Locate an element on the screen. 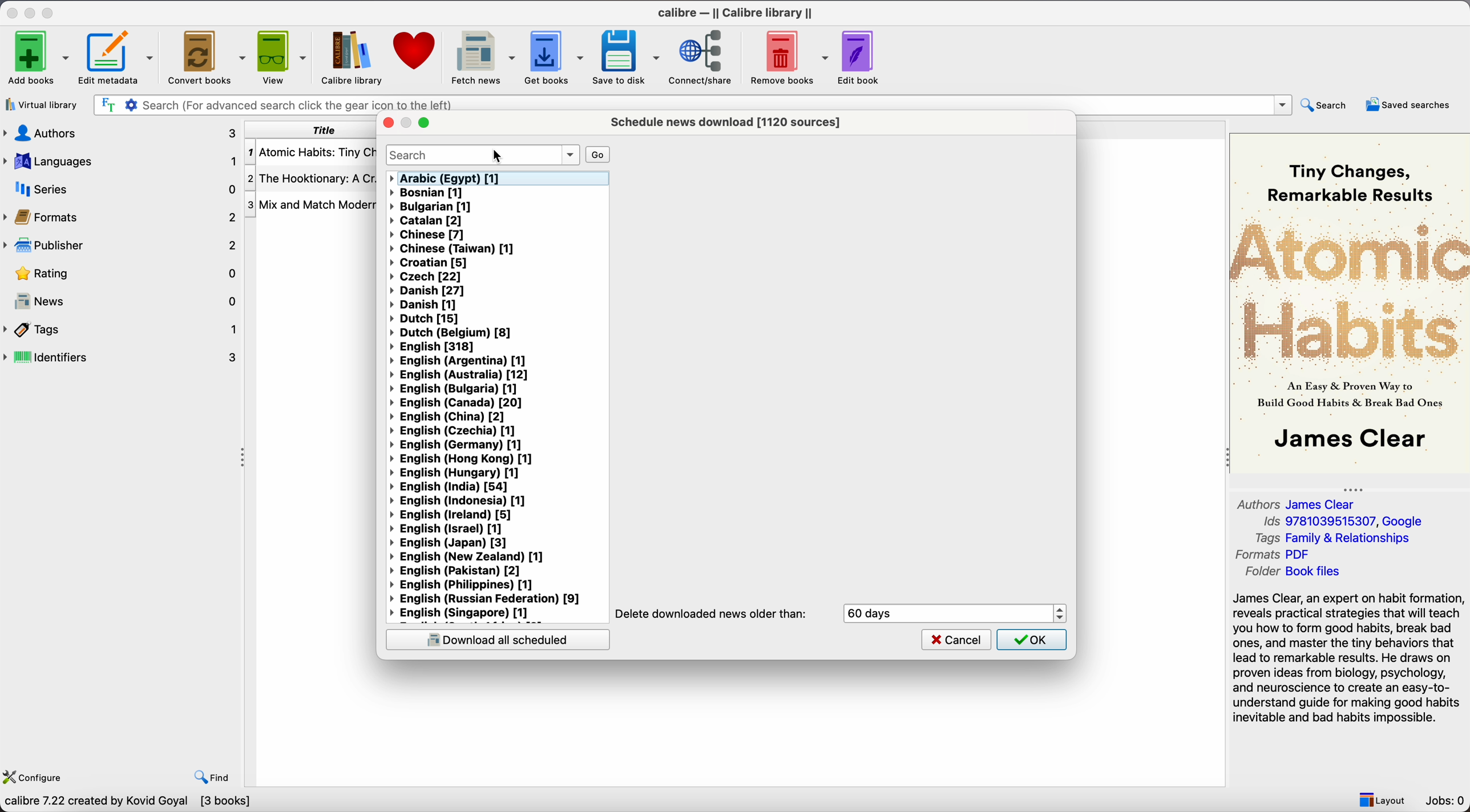 The image size is (1470, 812). English (Japan) [3] is located at coordinates (449, 544).